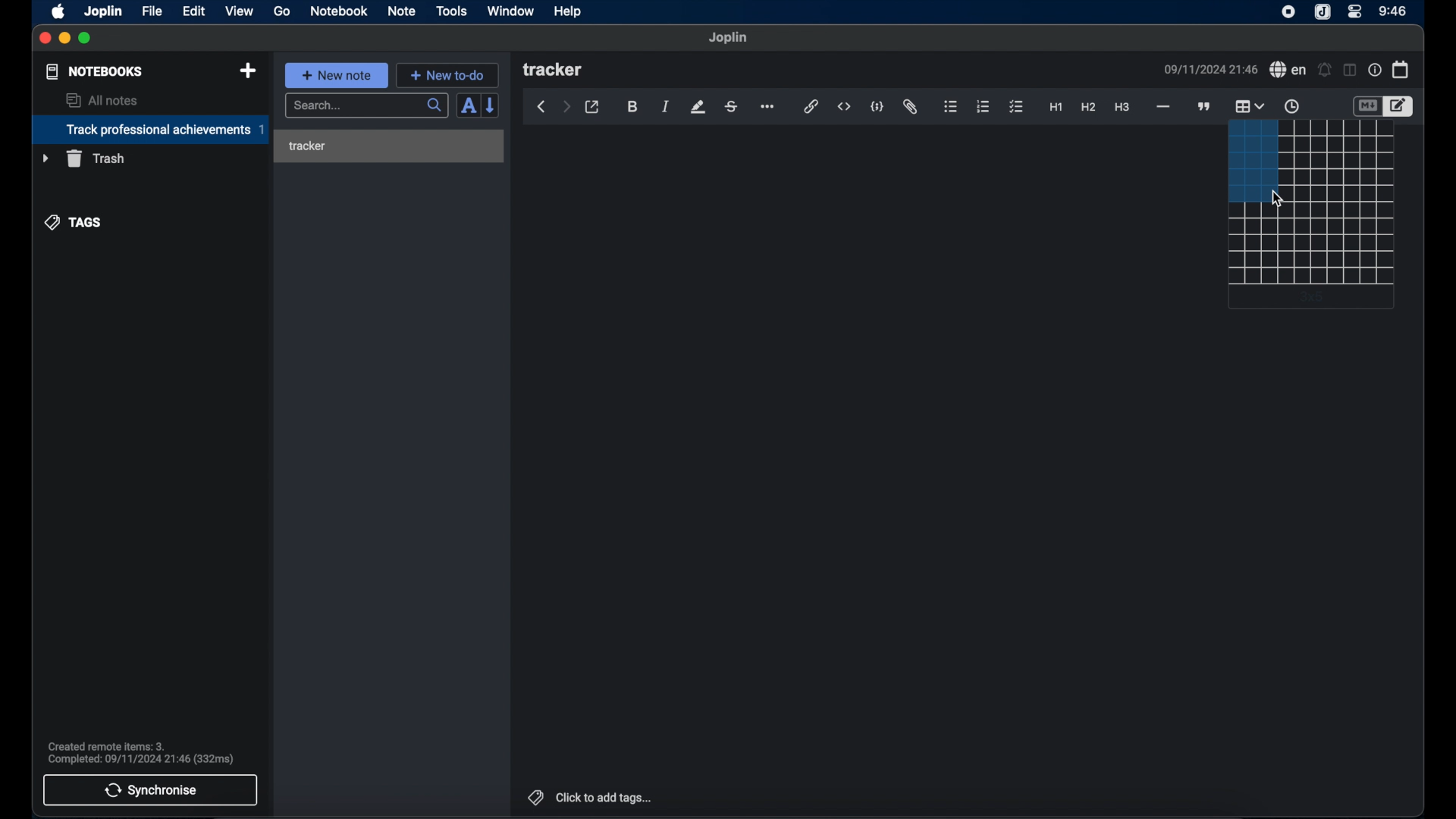 This screenshot has width=1456, height=819. Describe the element at coordinates (588, 797) in the screenshot. I see `click to add tags` at that location.